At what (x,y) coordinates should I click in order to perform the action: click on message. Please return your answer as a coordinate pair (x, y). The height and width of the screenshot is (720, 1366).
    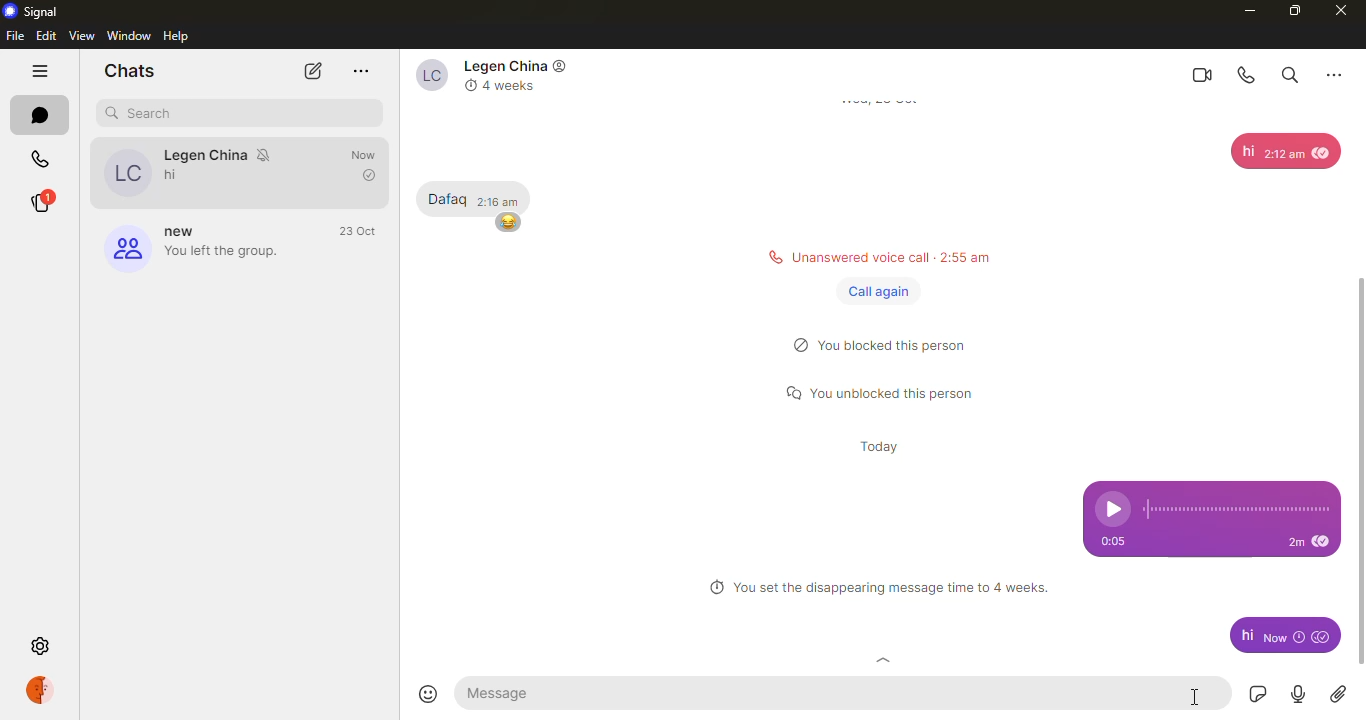
    Looking at the image, I should click on (506, 693).